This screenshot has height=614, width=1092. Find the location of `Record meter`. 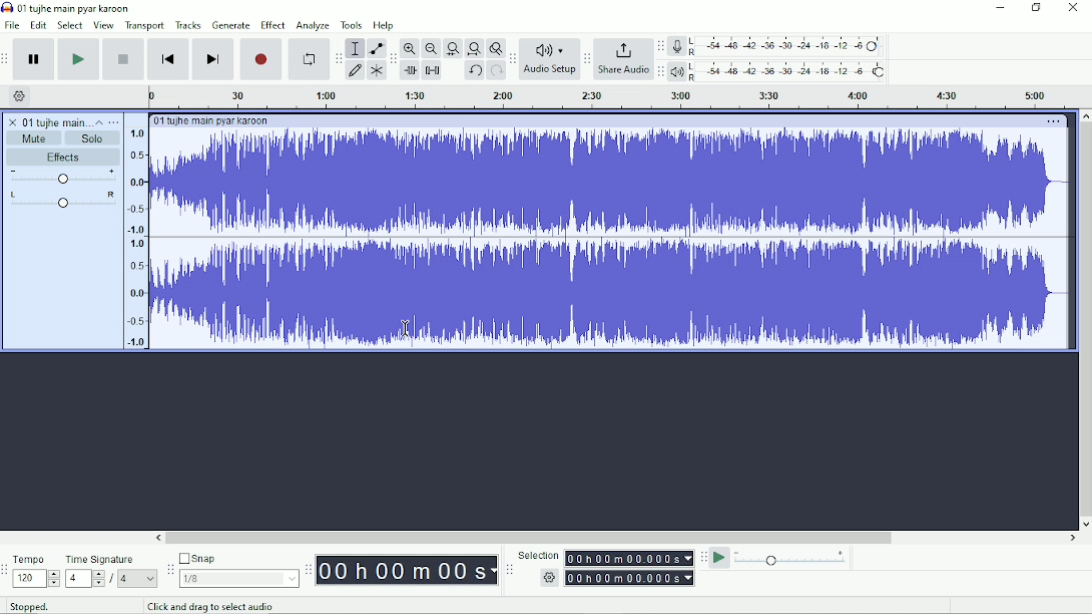

Record meter is located at coordinates (778, 46).